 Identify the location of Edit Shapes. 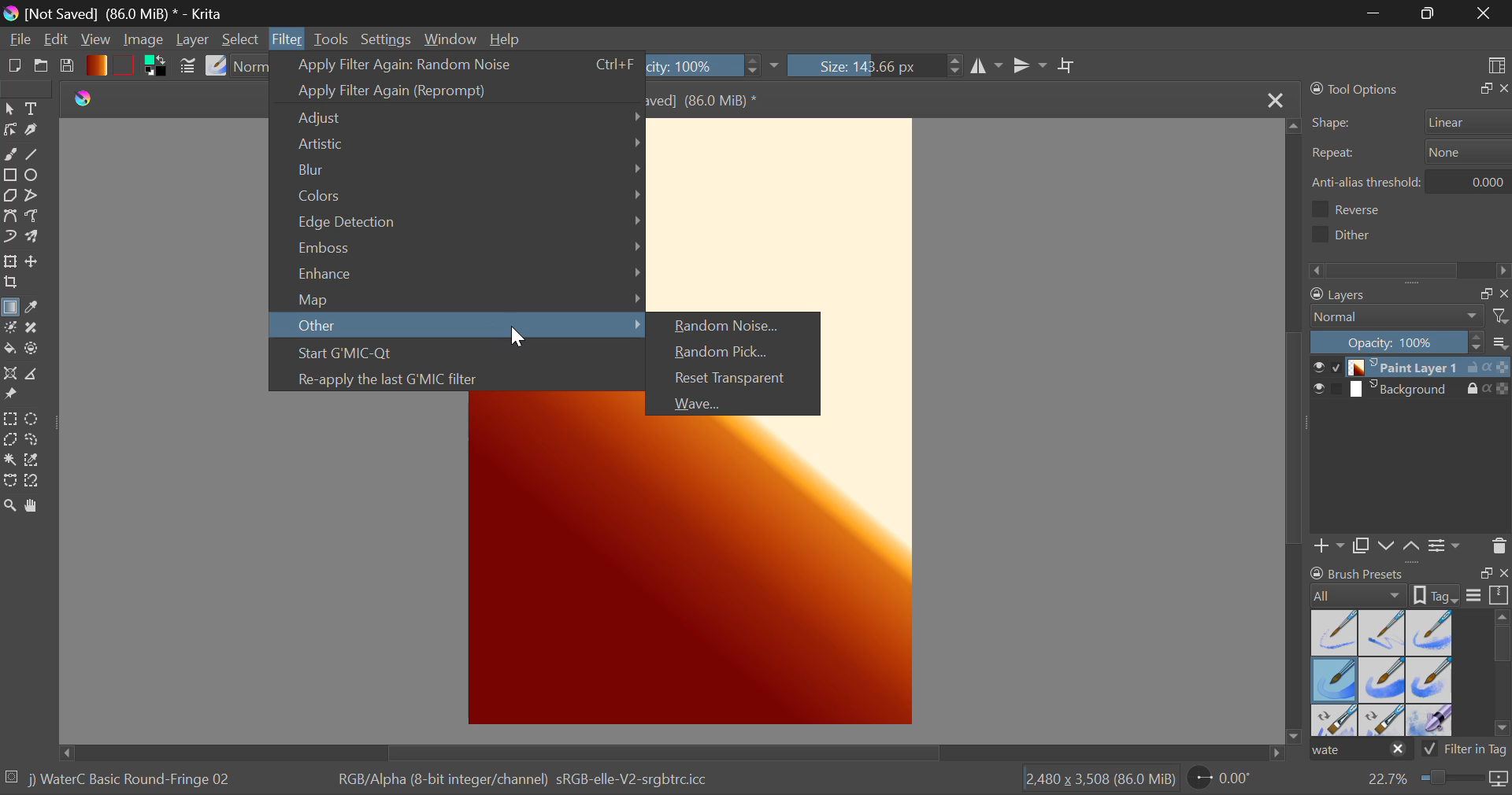
(10, 131).